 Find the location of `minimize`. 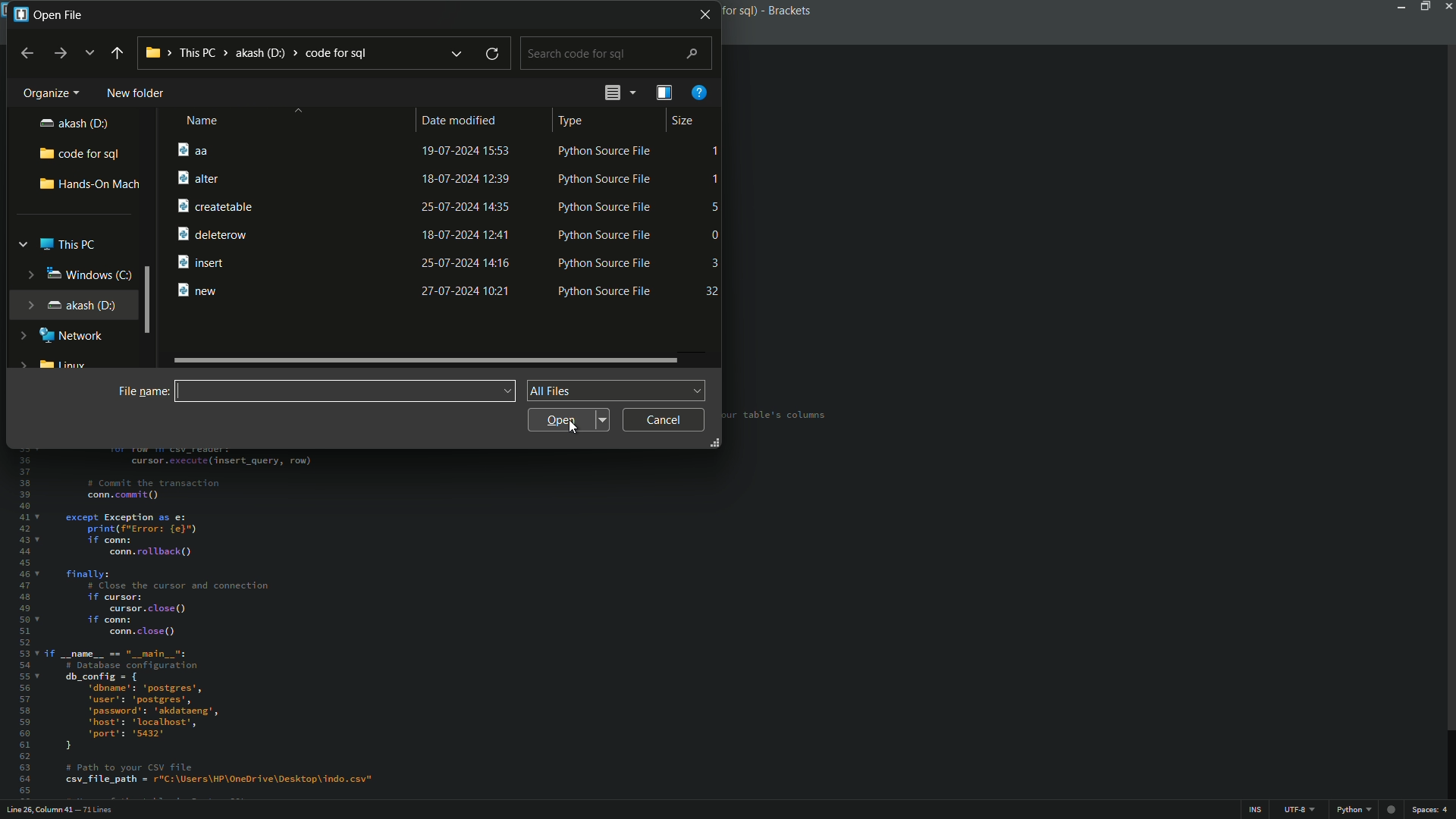

minimize is located at coordinates (1401, 6).